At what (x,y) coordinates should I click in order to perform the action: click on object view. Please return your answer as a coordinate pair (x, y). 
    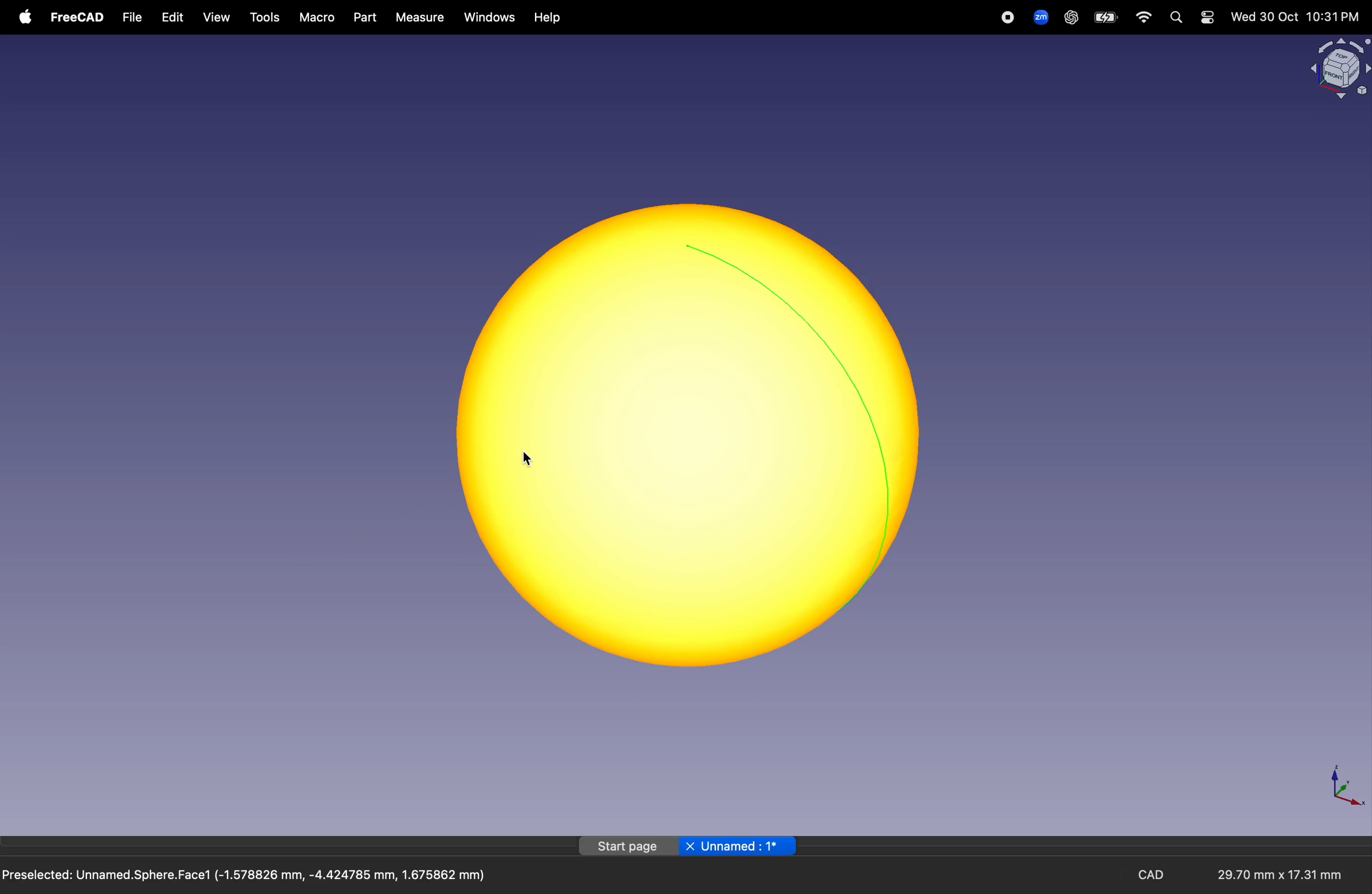
    Looking at the image, I should click on (1338, 67).